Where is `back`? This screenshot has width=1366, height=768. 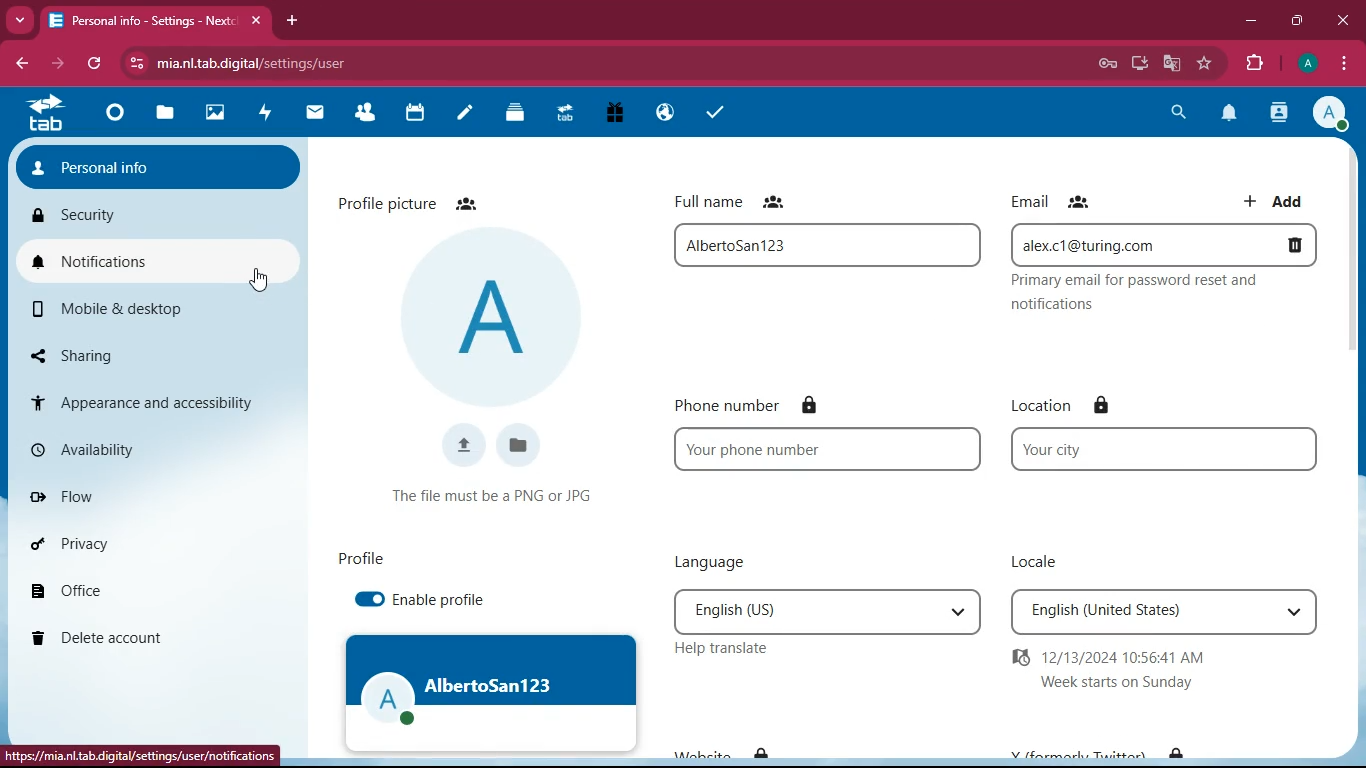 back is located at coordinates (22, 63).